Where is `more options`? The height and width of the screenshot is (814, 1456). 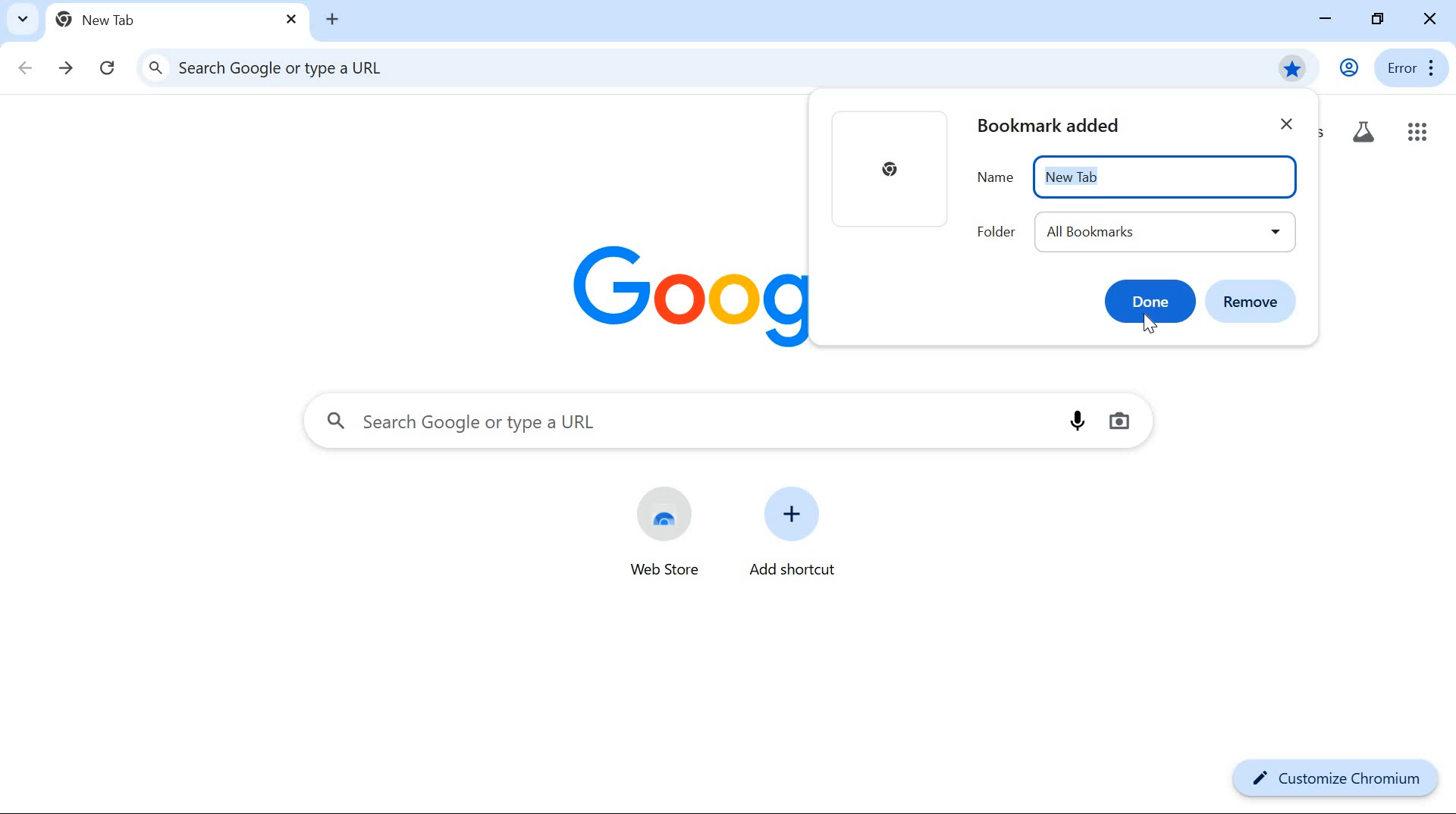 more options is located at coordinates (1433, 67).